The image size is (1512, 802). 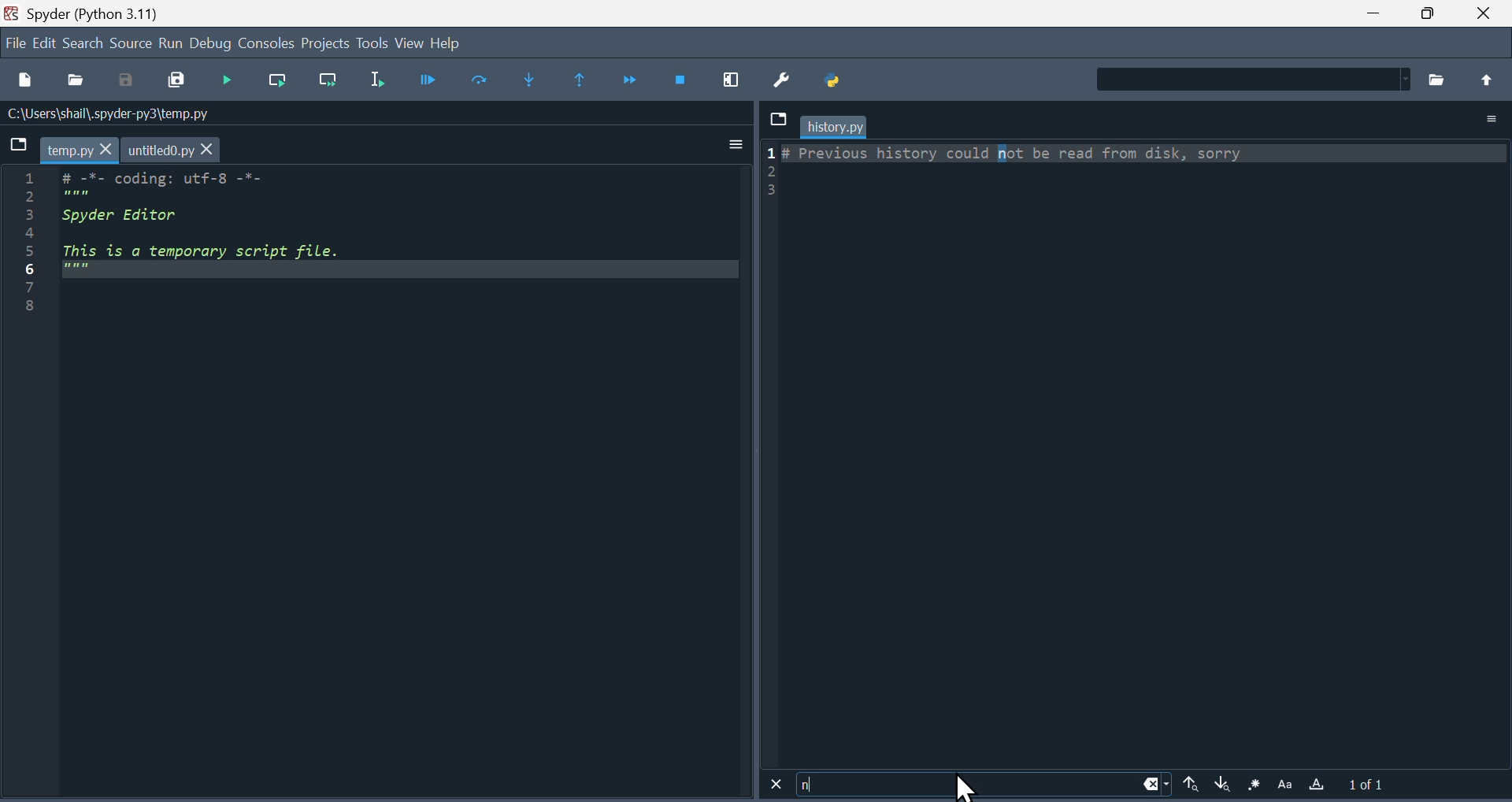 I want to click on run current line, so click(x=277, y=79).